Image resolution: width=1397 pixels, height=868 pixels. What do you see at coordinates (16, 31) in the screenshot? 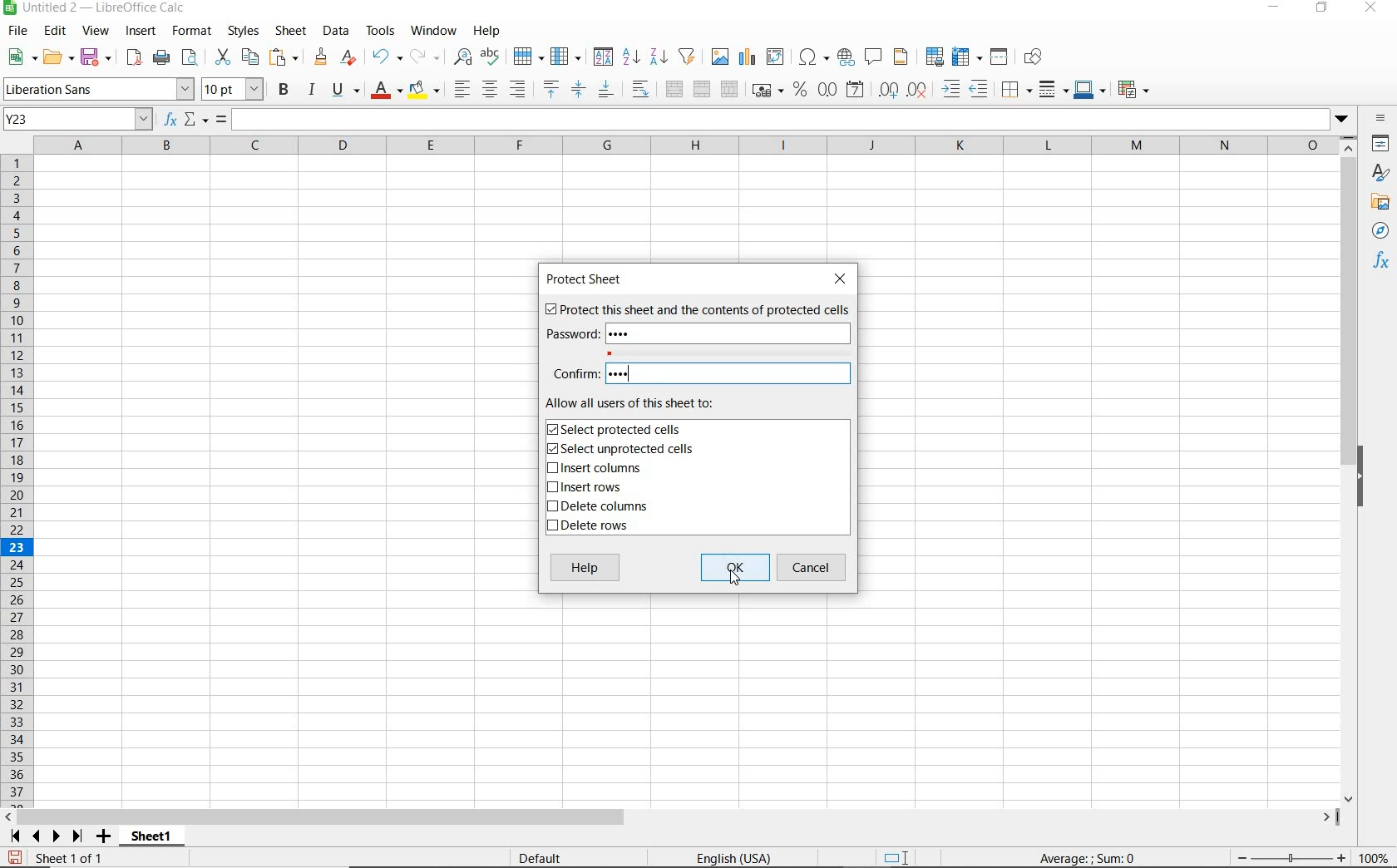
I see `FILE` at bounding box center [16, 31].